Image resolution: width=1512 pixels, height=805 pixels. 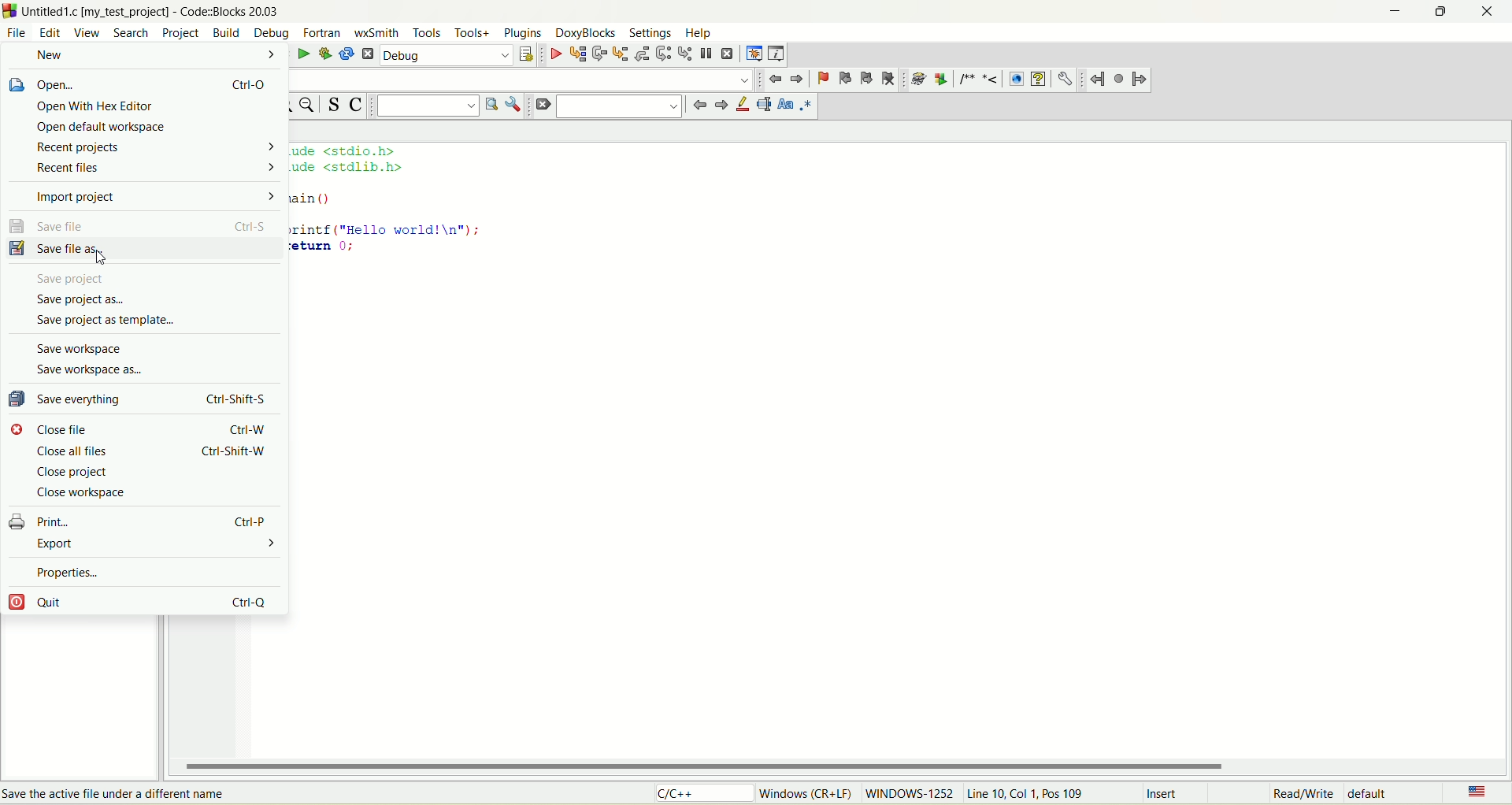 I want to click on jump back, so click(x=1097, y=80).